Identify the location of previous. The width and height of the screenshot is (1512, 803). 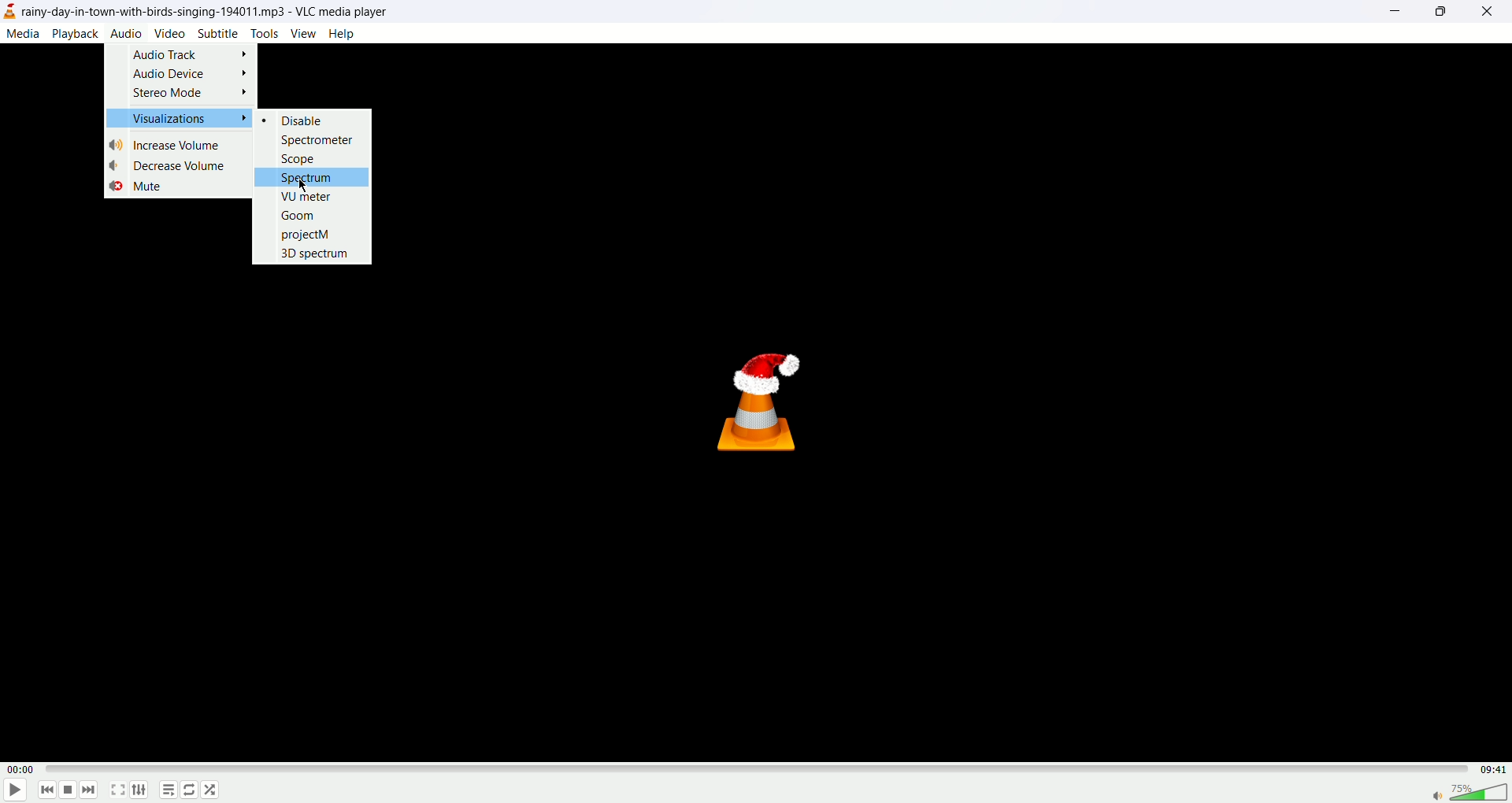
(49, 791).